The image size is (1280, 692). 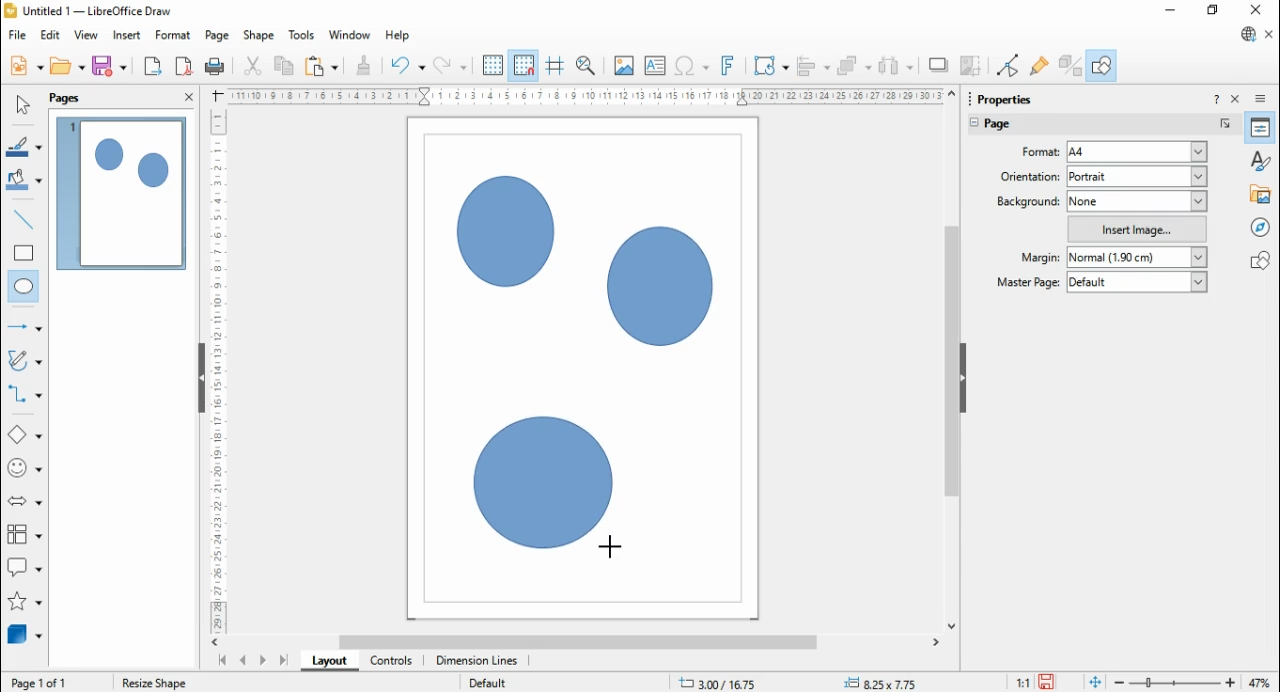 What do you see at coordinates (201, 380) in the screenshot?
I see `Hide` at bounding box center [201, 380].